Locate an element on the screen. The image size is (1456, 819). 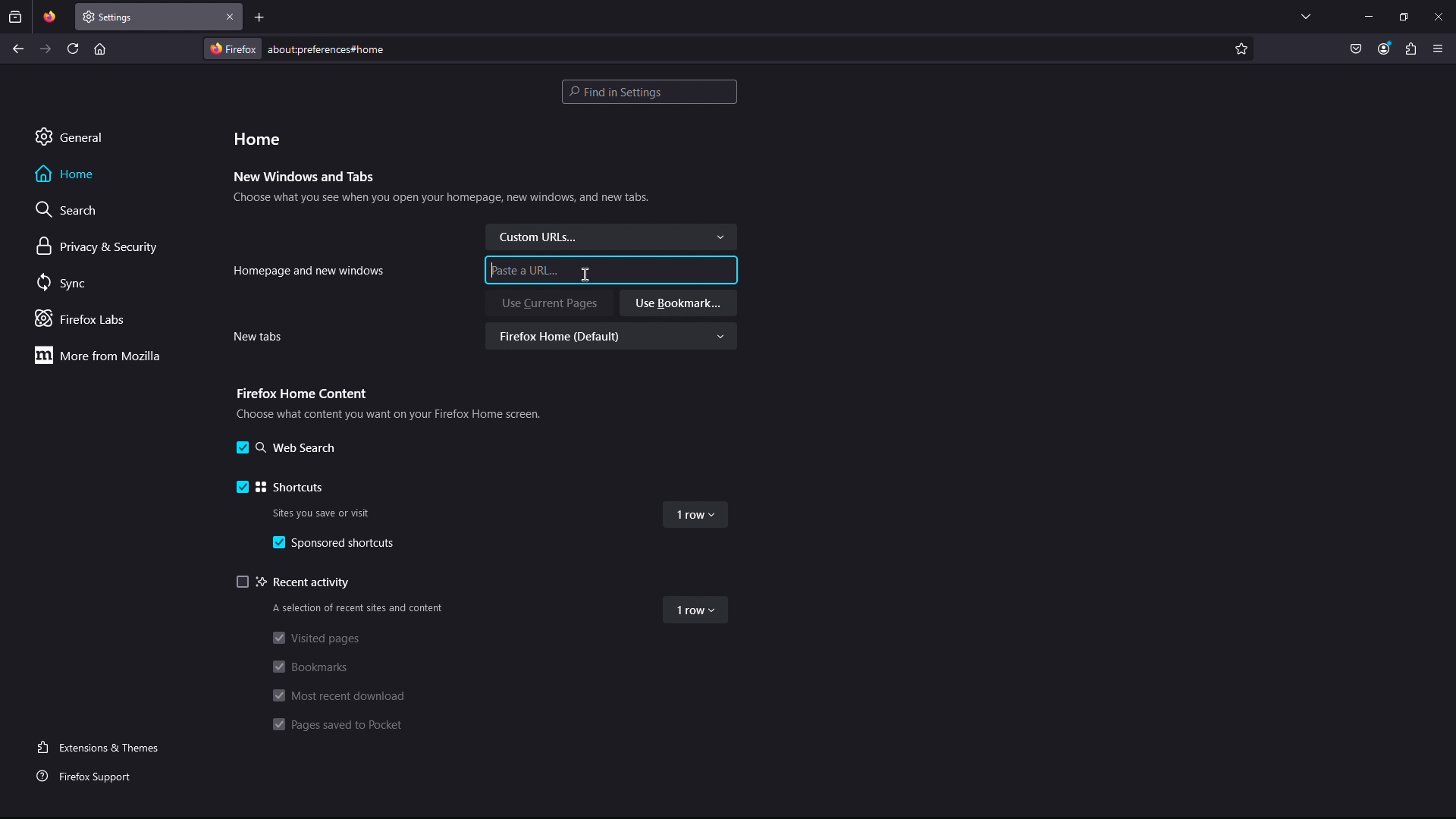
List all tabs is located at coordinates (1306, 16).